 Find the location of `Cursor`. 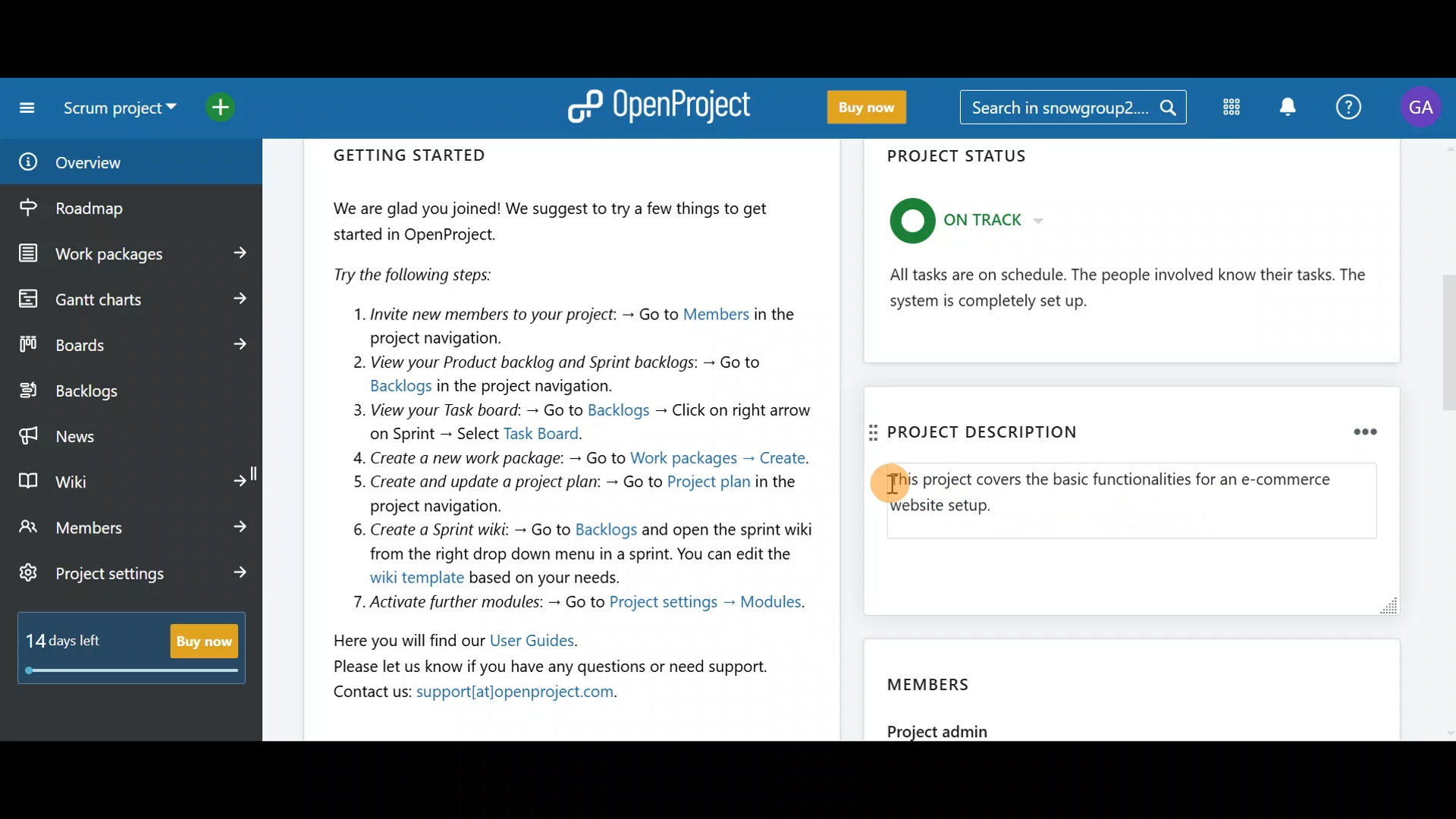

Cursor is located at coordinates (891, 484).